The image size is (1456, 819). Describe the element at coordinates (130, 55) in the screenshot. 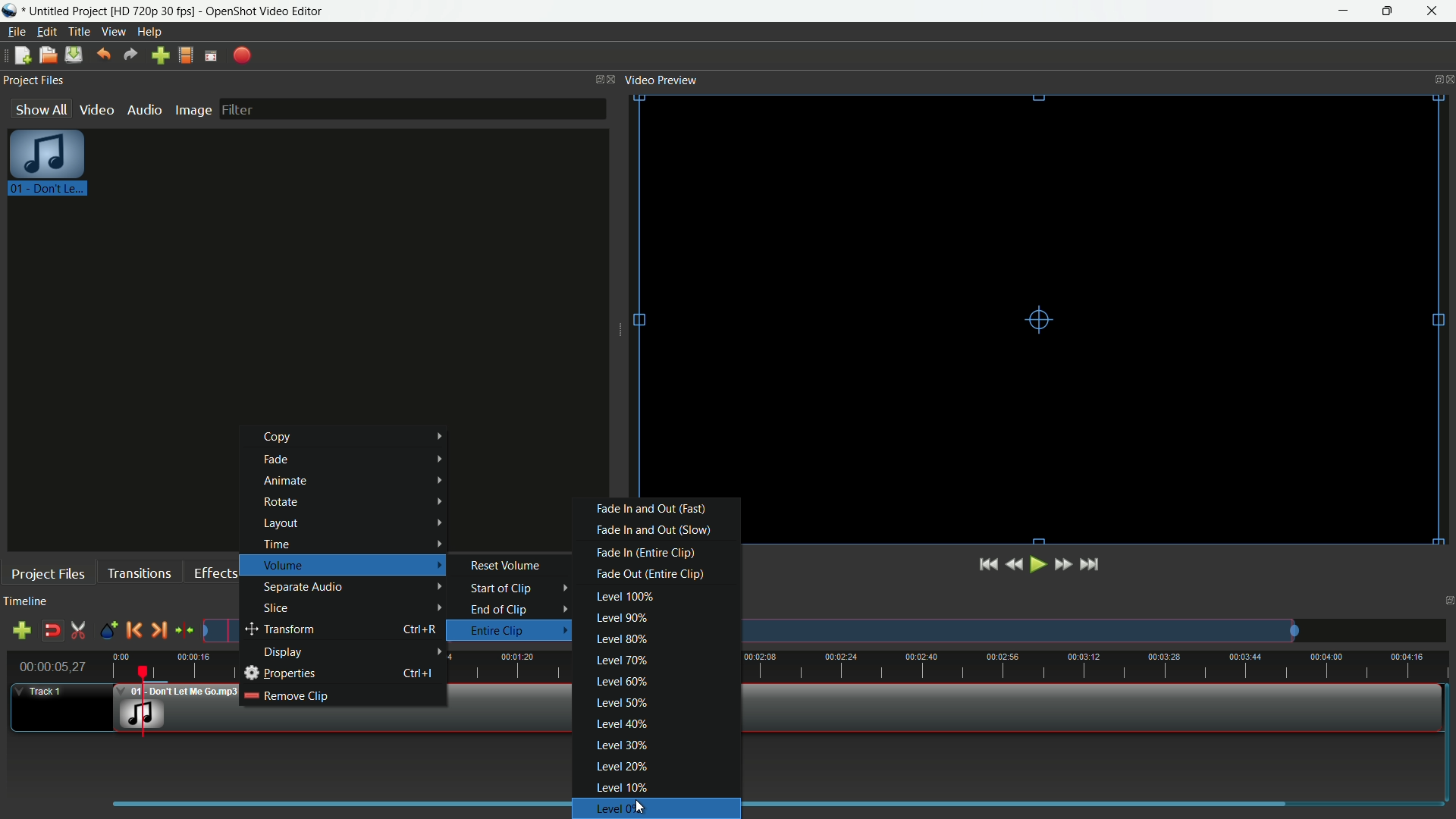

I see `redo` at that location.